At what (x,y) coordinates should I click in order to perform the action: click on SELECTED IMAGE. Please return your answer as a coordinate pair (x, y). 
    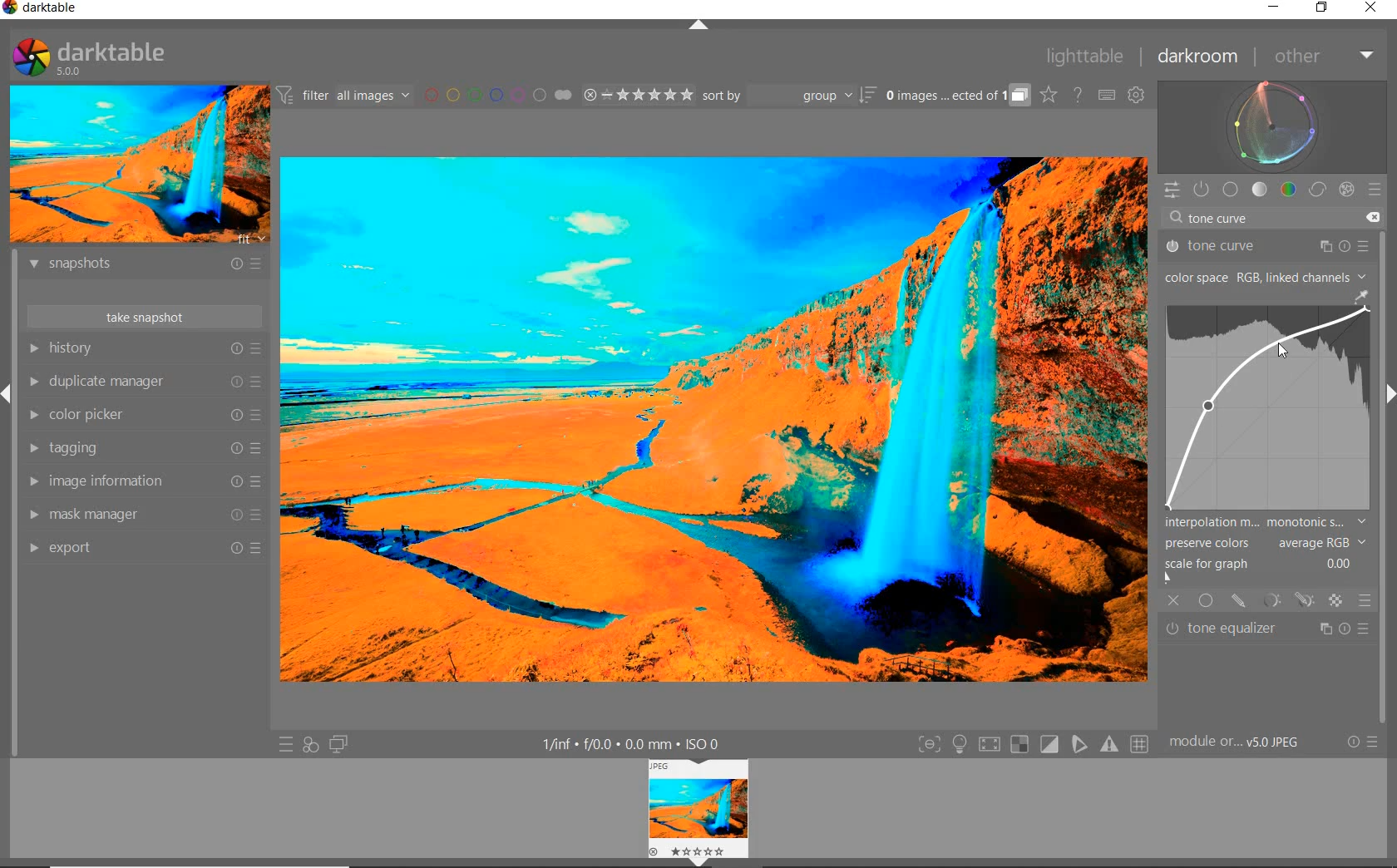
    Looking at the image, I should click on (711, 417).